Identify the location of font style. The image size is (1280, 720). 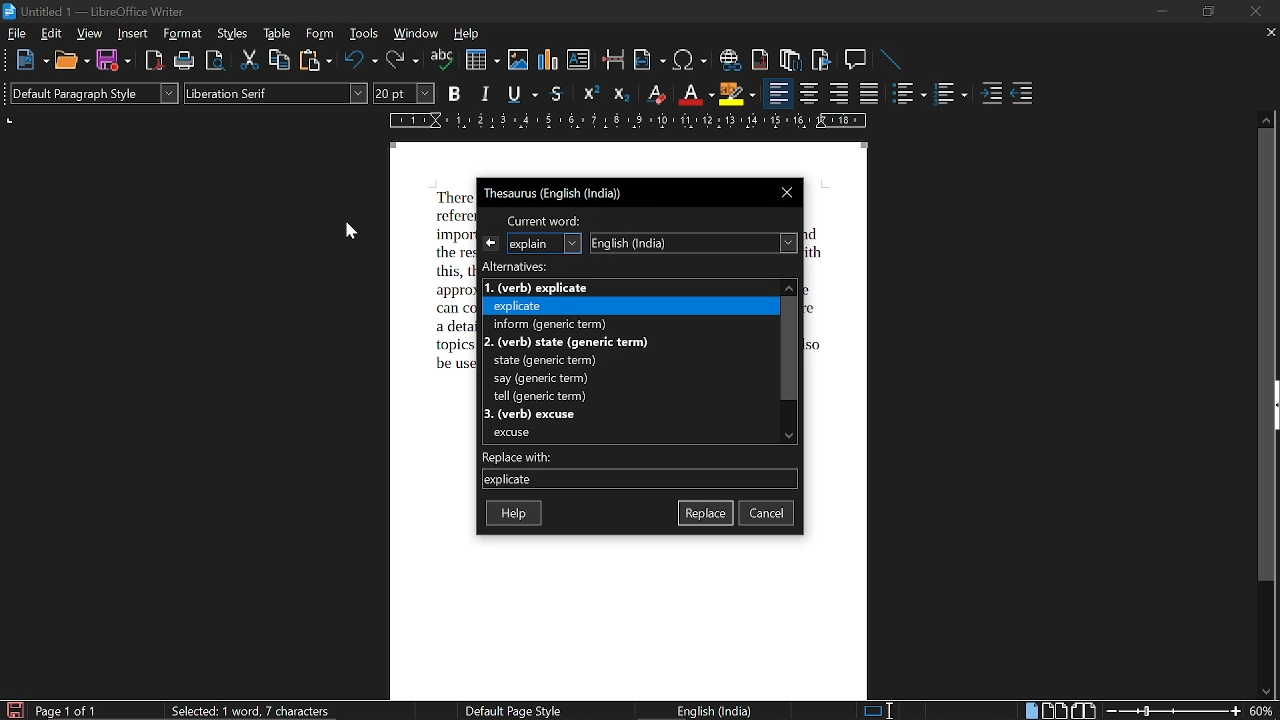
(275, 94).